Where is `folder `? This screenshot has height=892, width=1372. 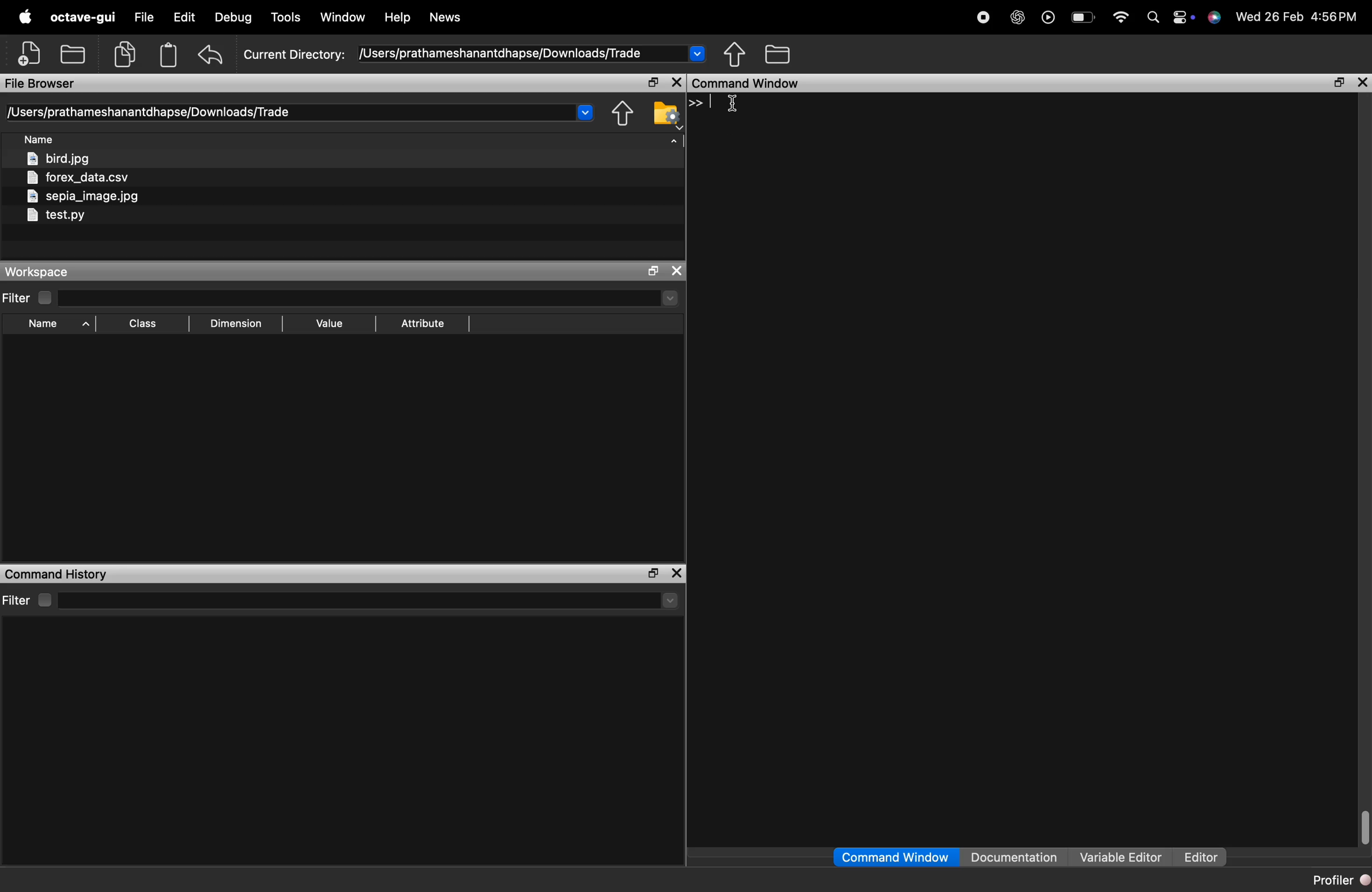
folder  is located at coordinates (777, 54).